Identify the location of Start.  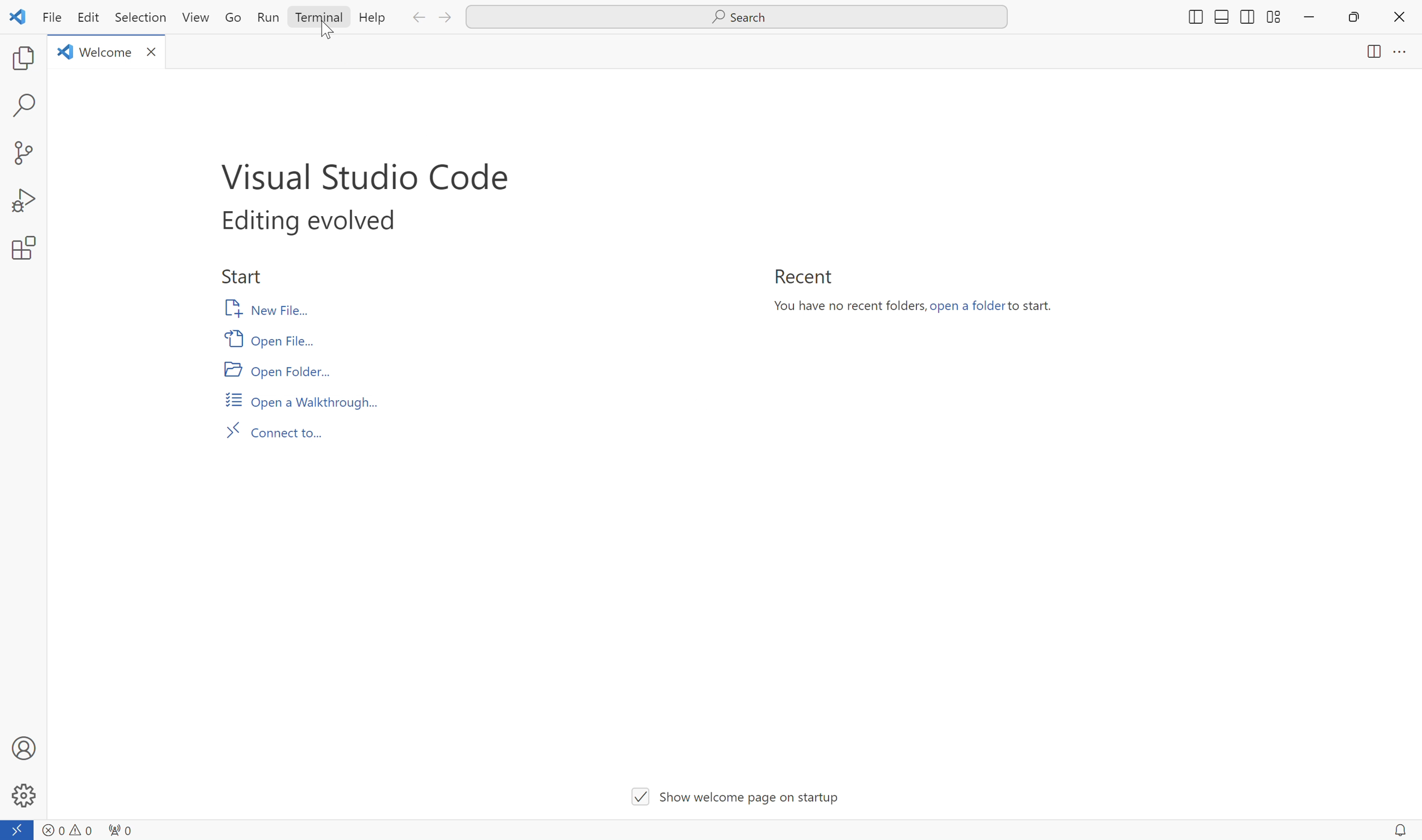
(243, 275).